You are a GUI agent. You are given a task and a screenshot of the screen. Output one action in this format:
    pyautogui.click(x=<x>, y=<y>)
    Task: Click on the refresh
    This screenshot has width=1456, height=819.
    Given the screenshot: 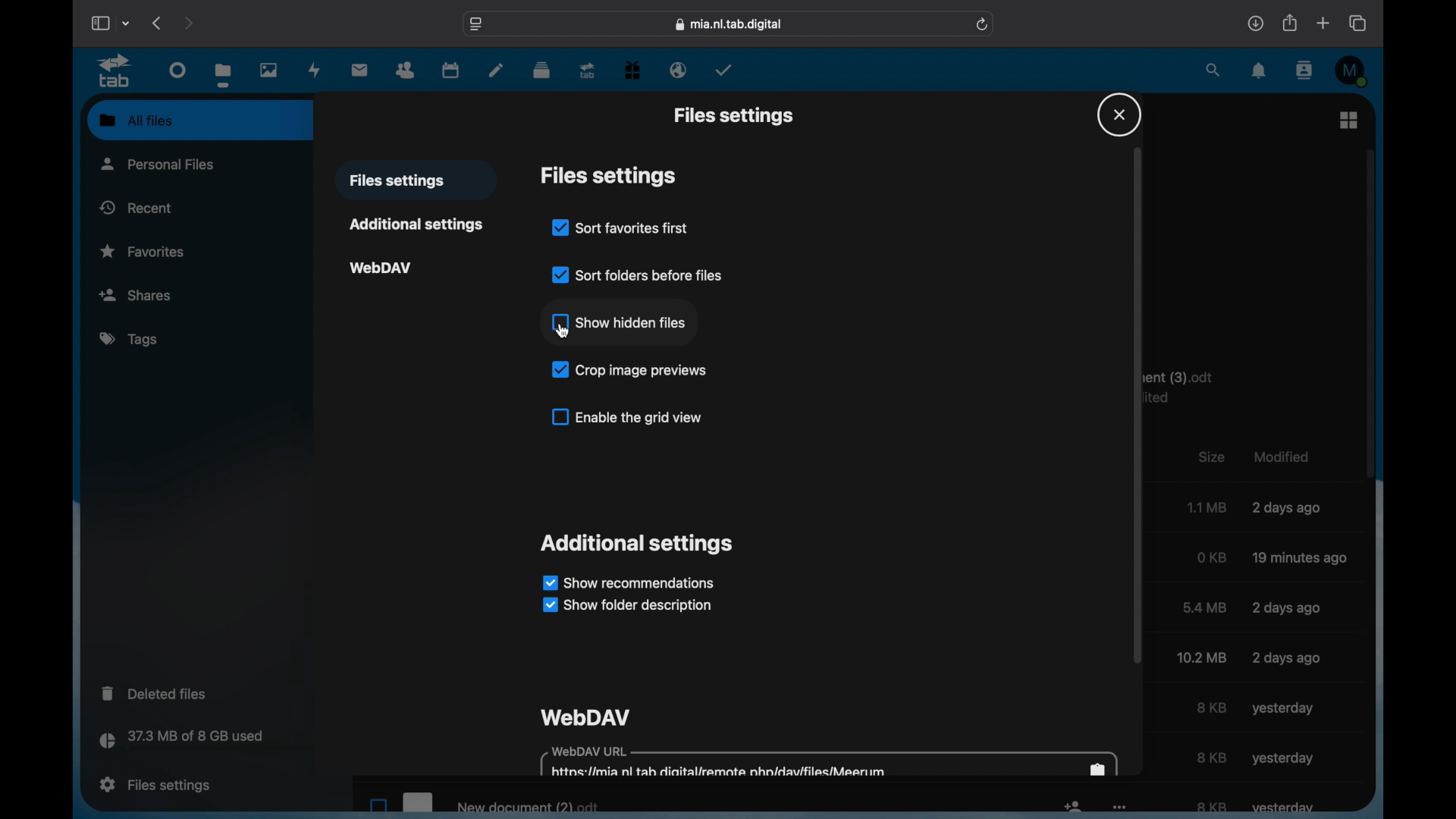 What is the action you would take?
    pyautogui.click(x=983, y=25)
    